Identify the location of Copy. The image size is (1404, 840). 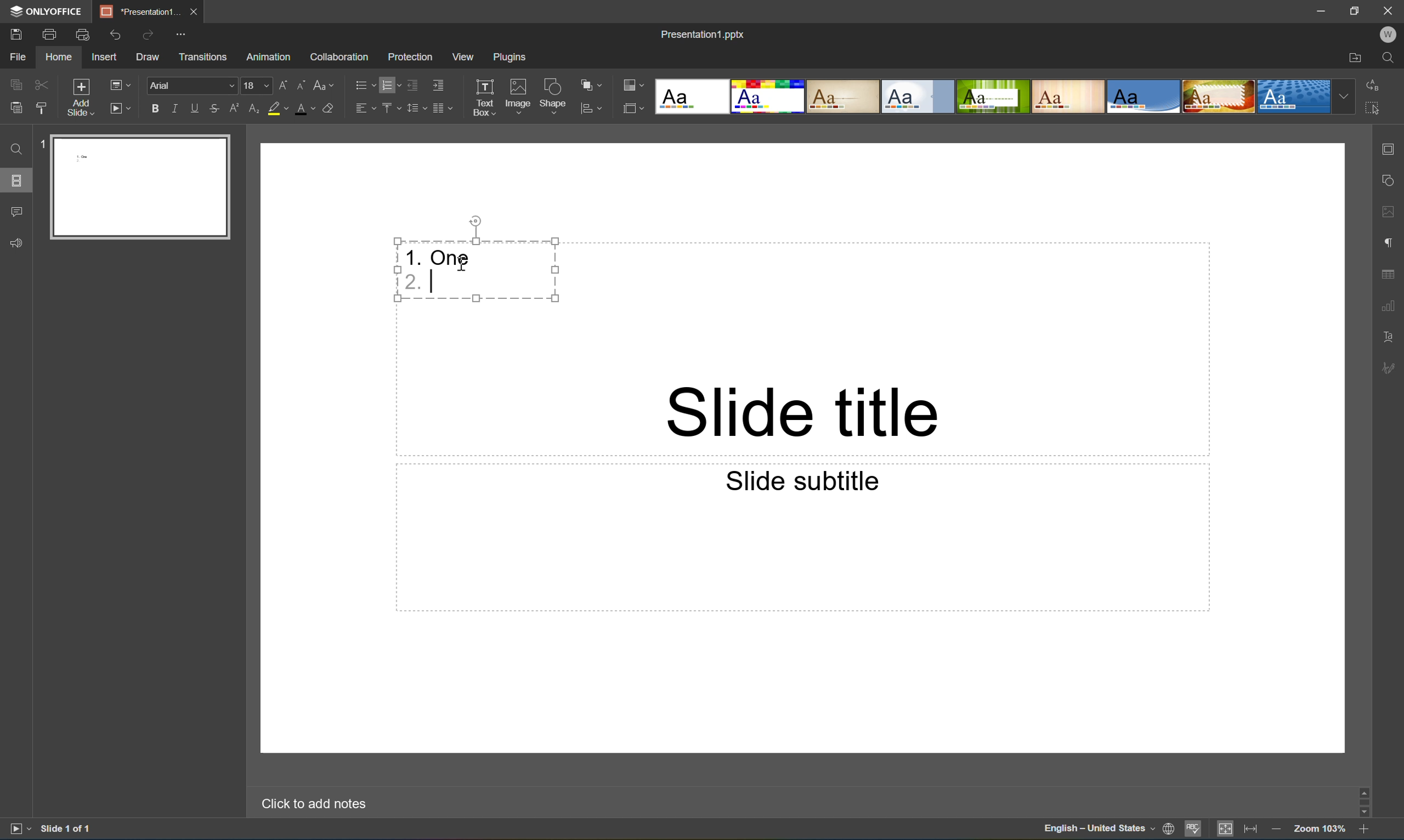
(14, 81).